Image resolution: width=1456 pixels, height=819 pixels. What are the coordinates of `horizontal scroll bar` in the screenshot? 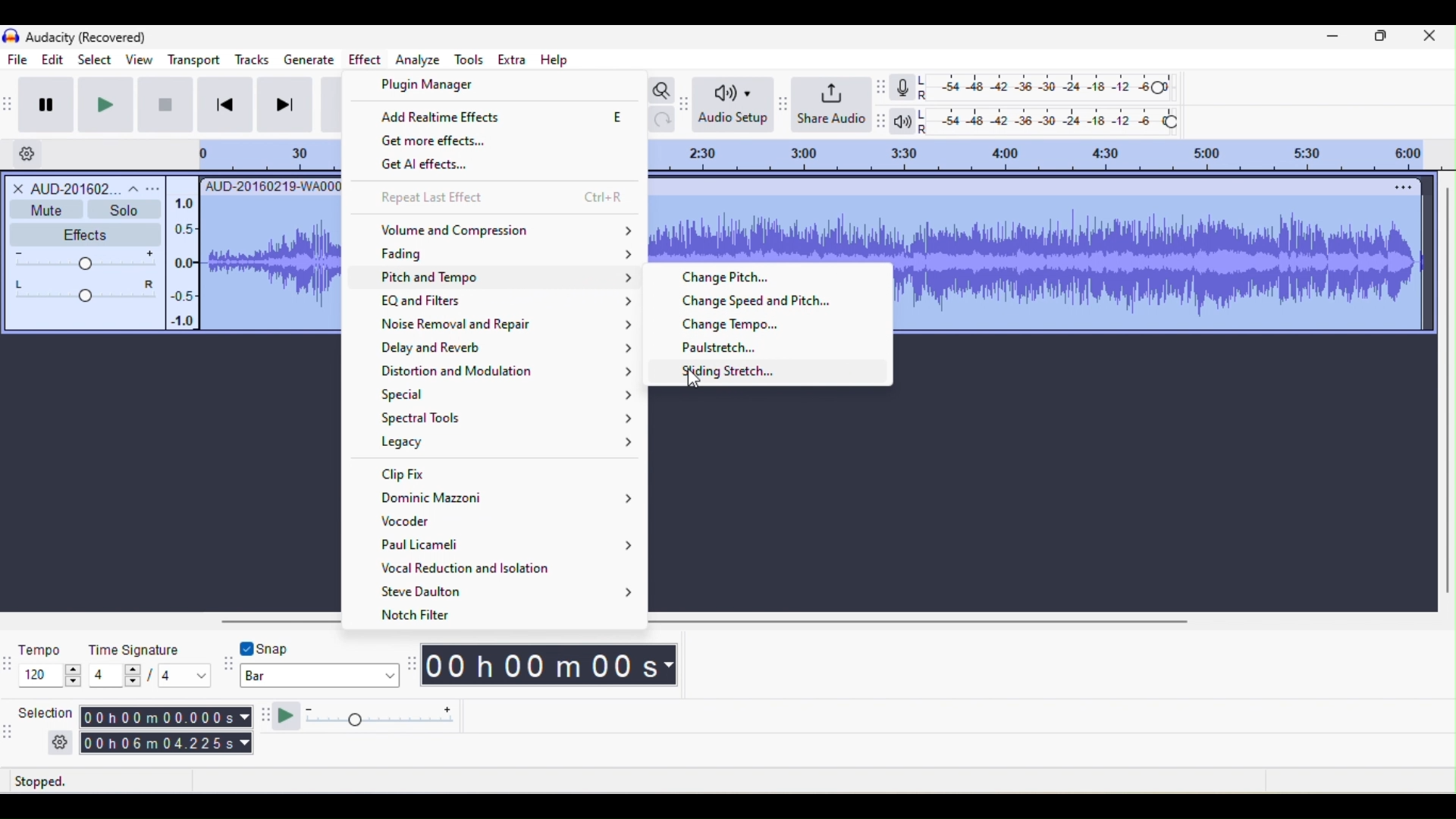 It's located at (277, 620).